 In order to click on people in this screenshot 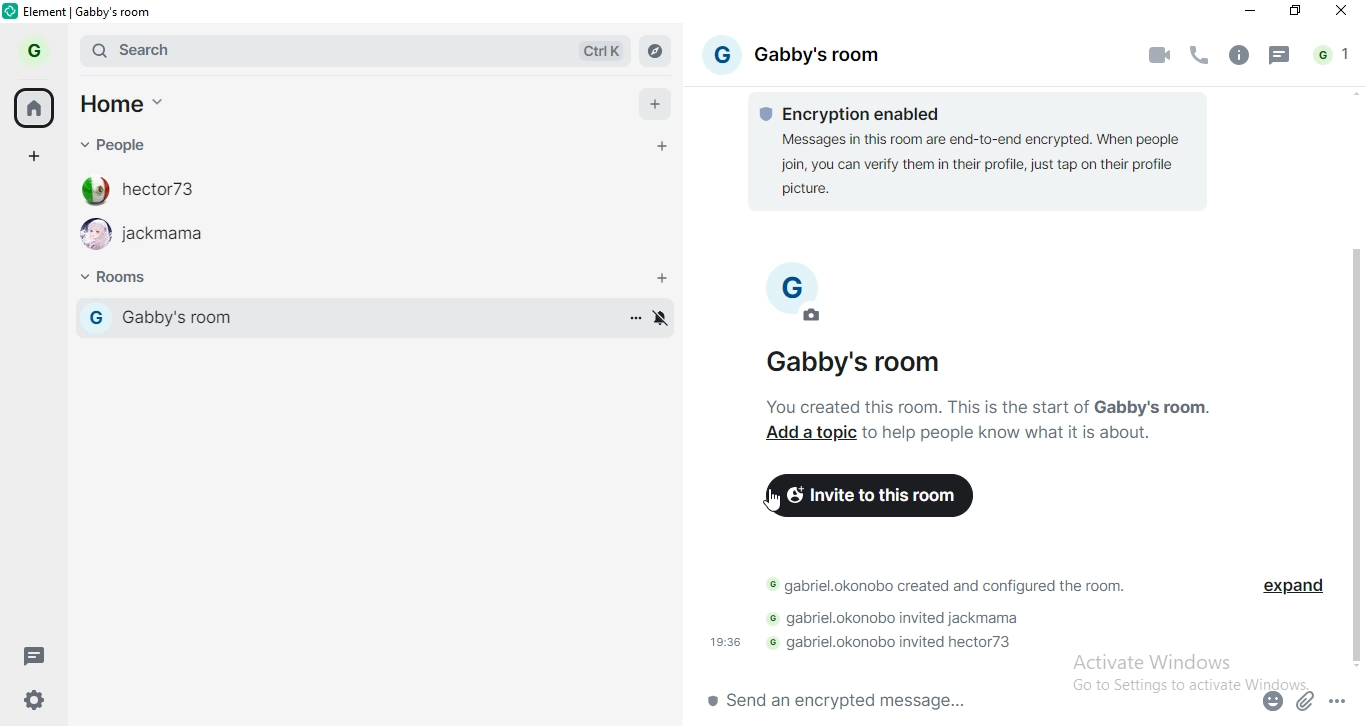, I will do `click(120, 148)`.